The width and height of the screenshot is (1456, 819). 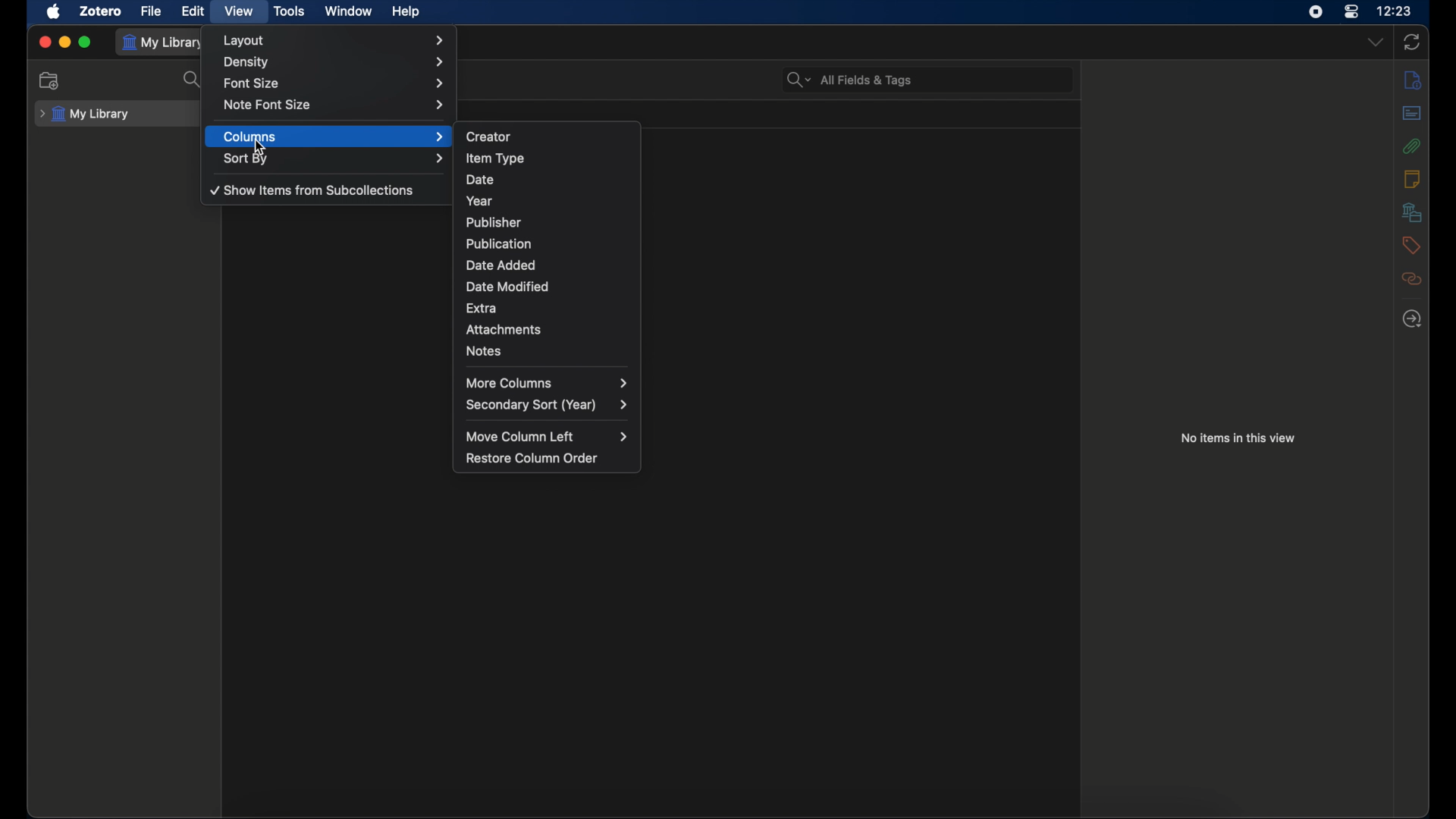 What do you see at coordinates (86, 42) in the screenshot?
I see `maximize` at bounding box center [86, 42].